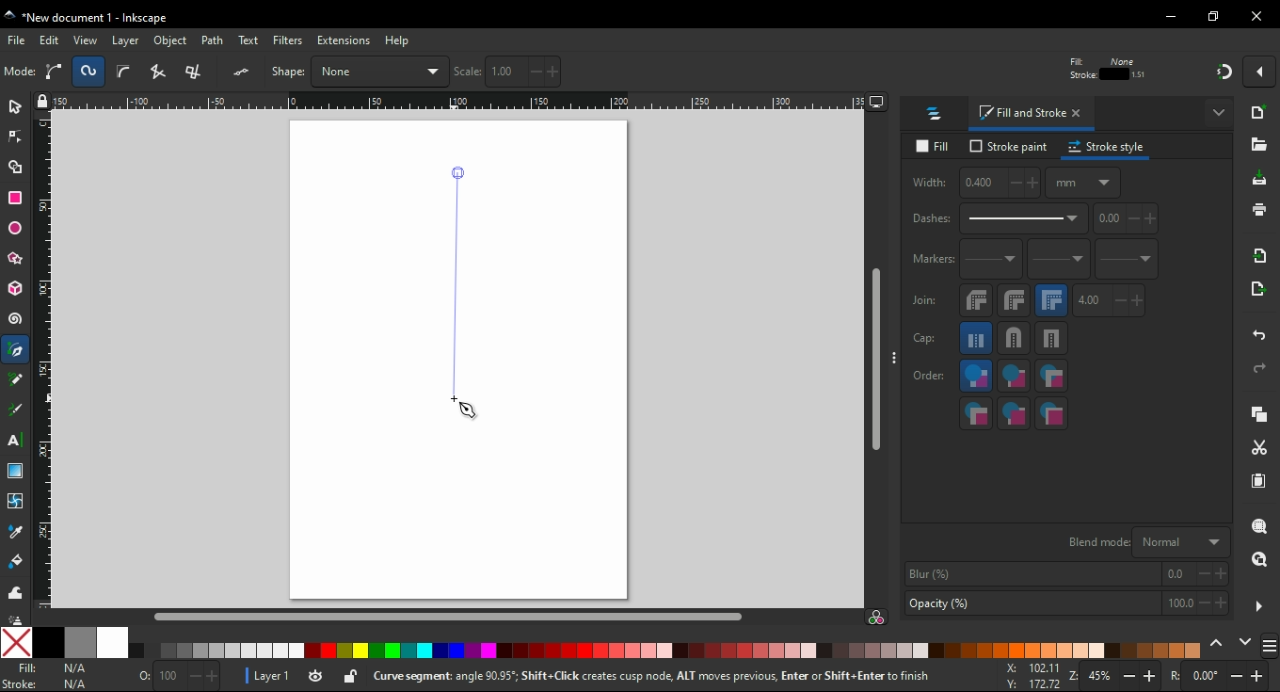  Describe the element at coordinates (1224, 70) in the screenshot. I see `snap on/off` at that location.